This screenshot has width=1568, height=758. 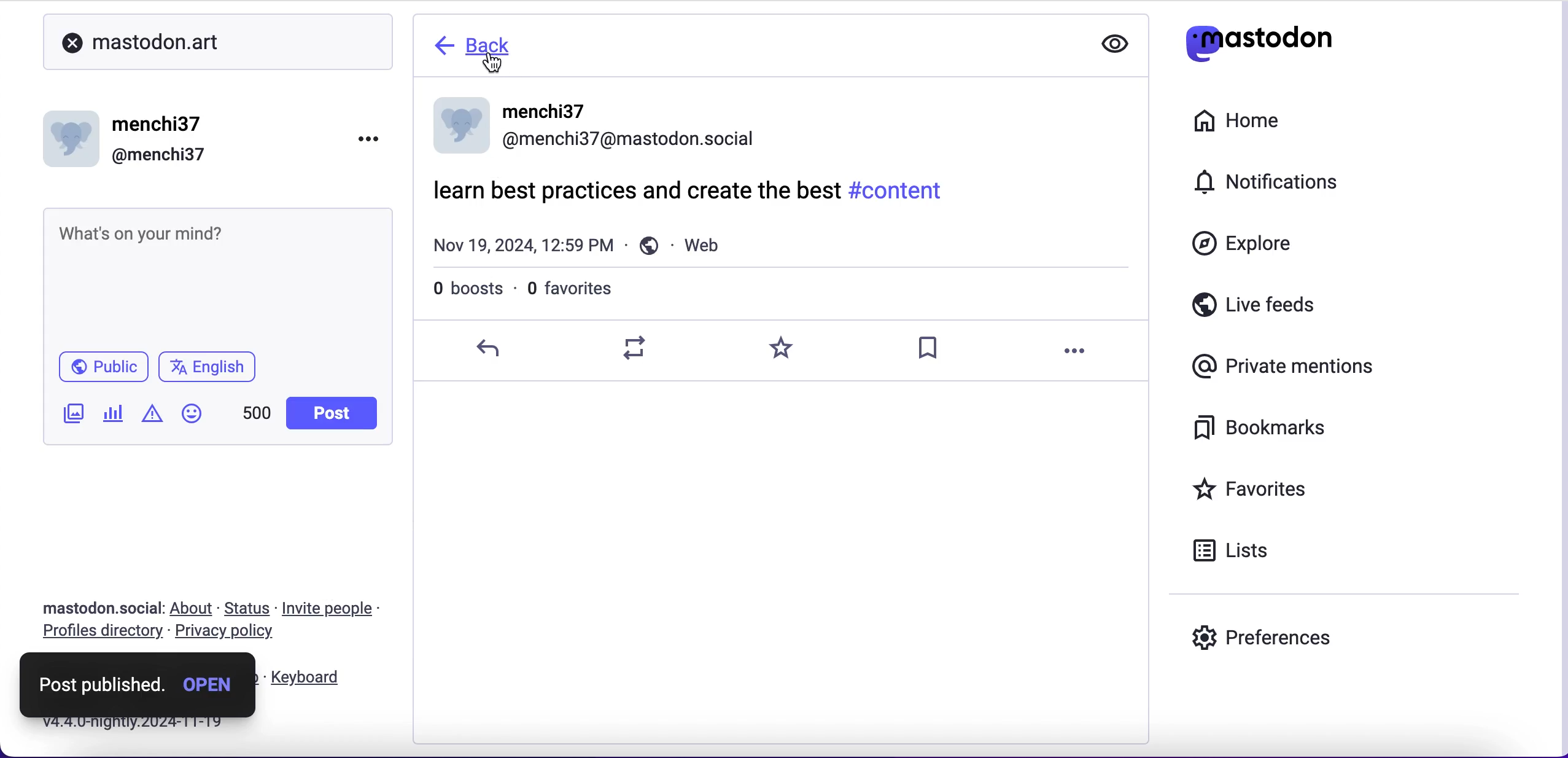 What do you see at coordinates (309, 678) in the screenshot?
I see `keyboard` at bounding box center [309, 678].